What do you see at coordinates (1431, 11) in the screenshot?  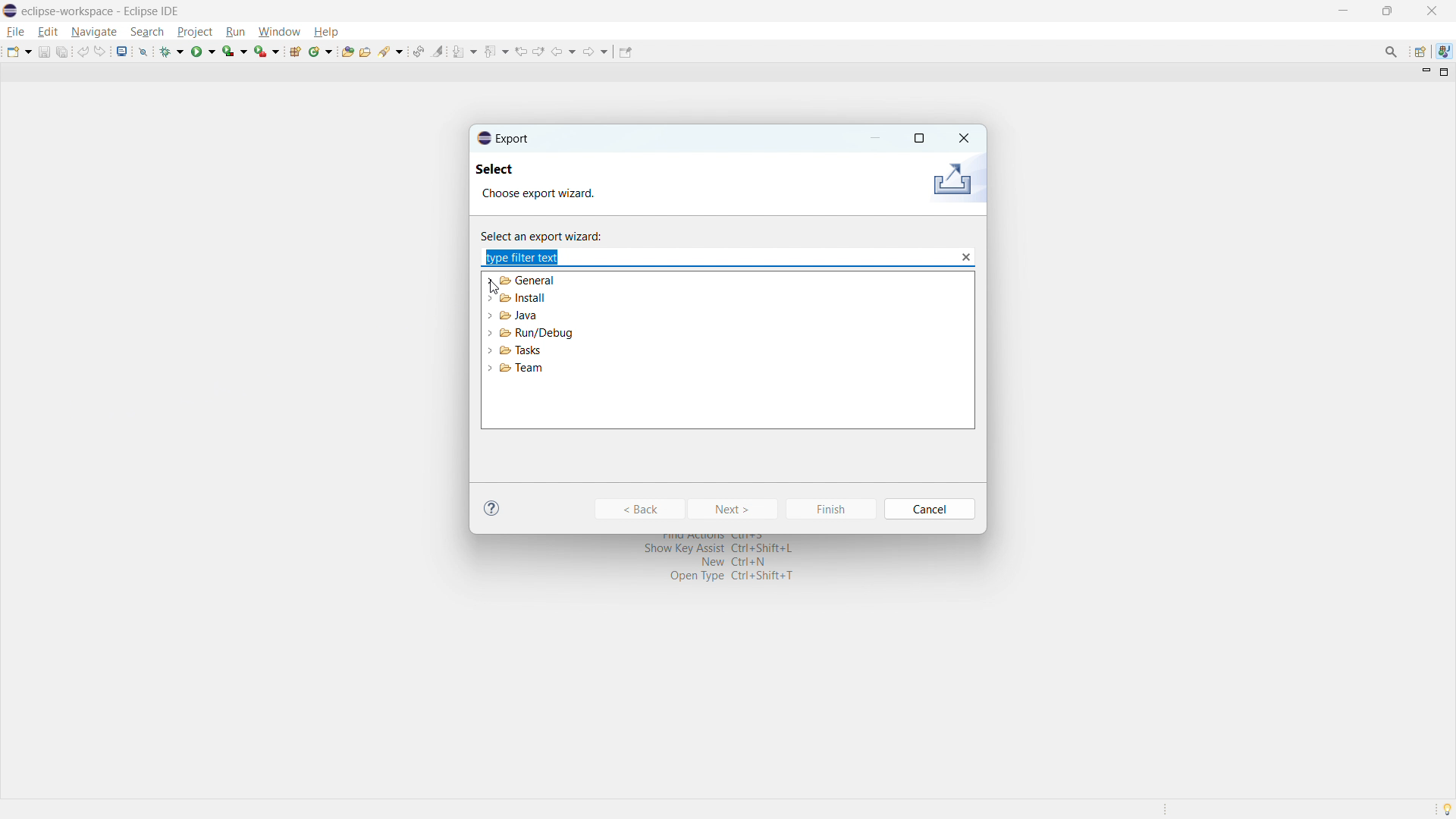 I see `close` at bounding box center [1431, 11].